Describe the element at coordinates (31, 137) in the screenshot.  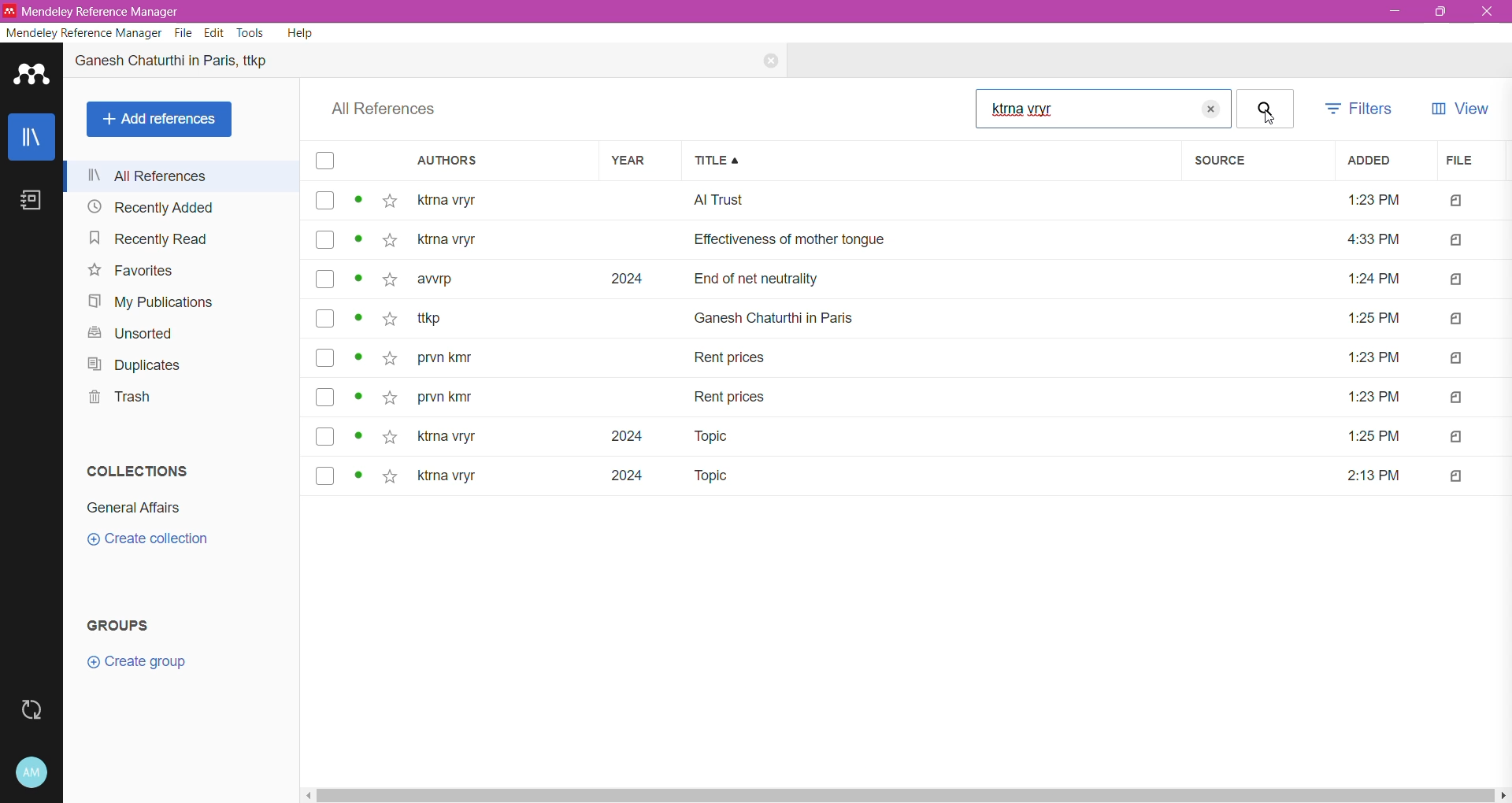
I see `Library` at that location.